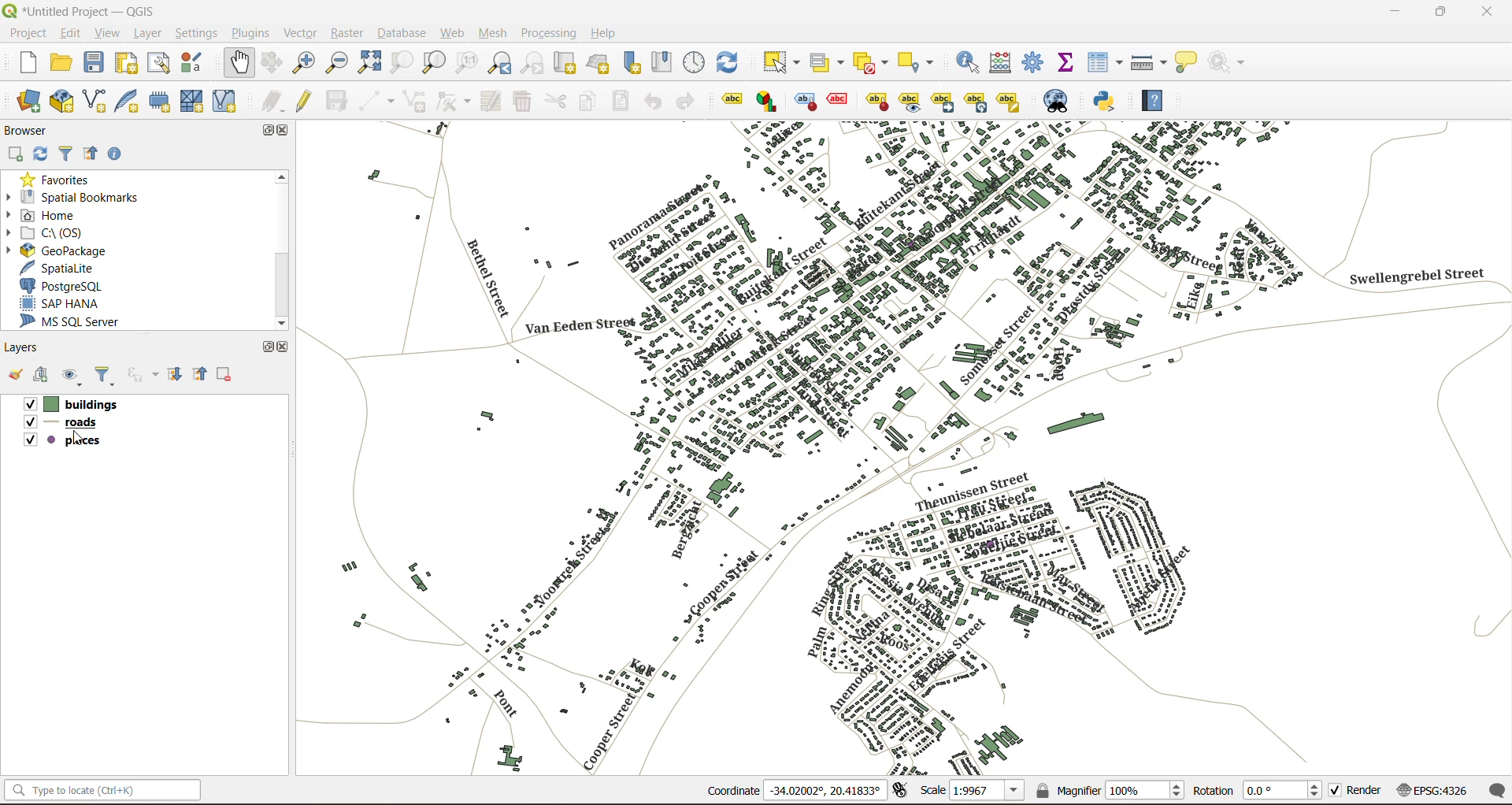 This screenshot has height=805, width=1512. Describe the element at coordinates (609, 34) in the screenshot. I see `help` at that location.